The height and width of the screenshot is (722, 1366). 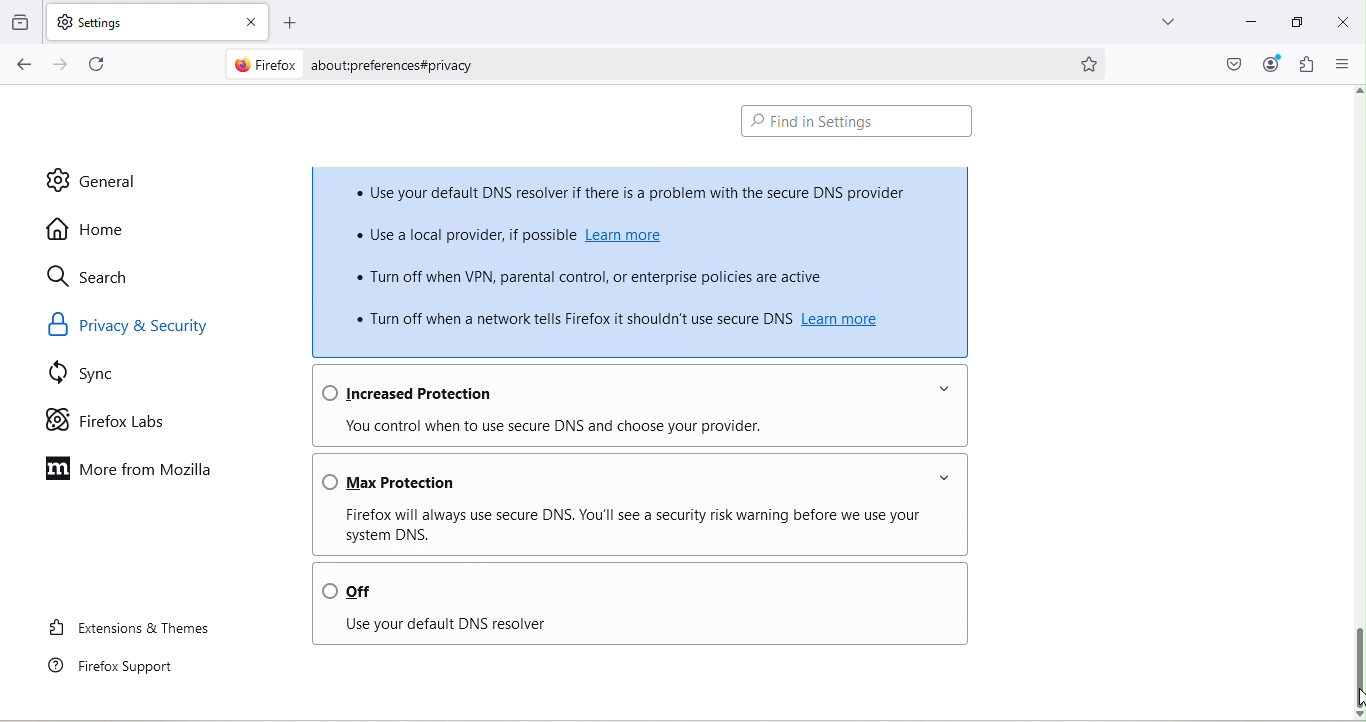 I want to click on Privacy & security, so click(x=136, y=326).